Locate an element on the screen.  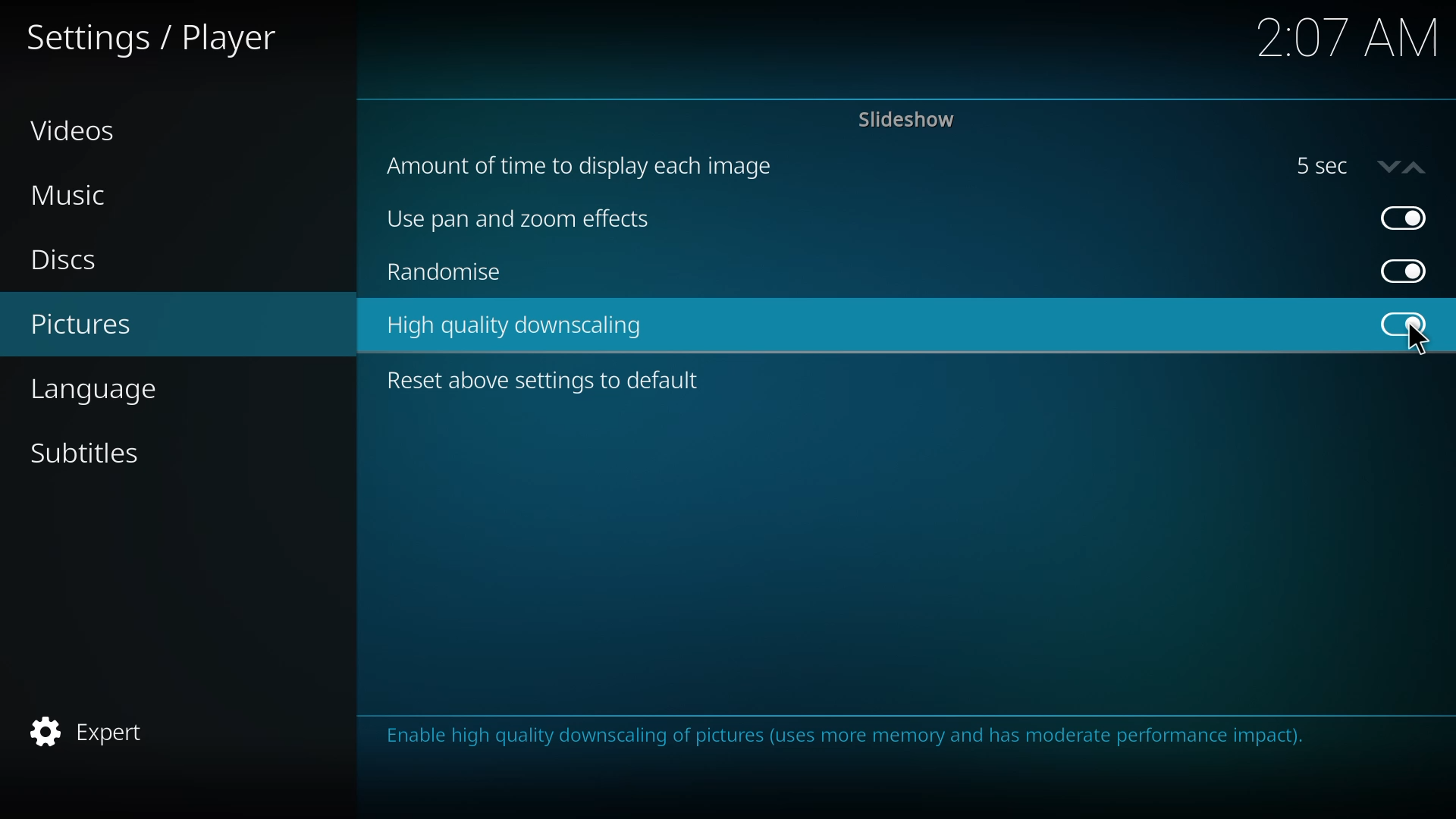
info is located at coordinates (858, 738).